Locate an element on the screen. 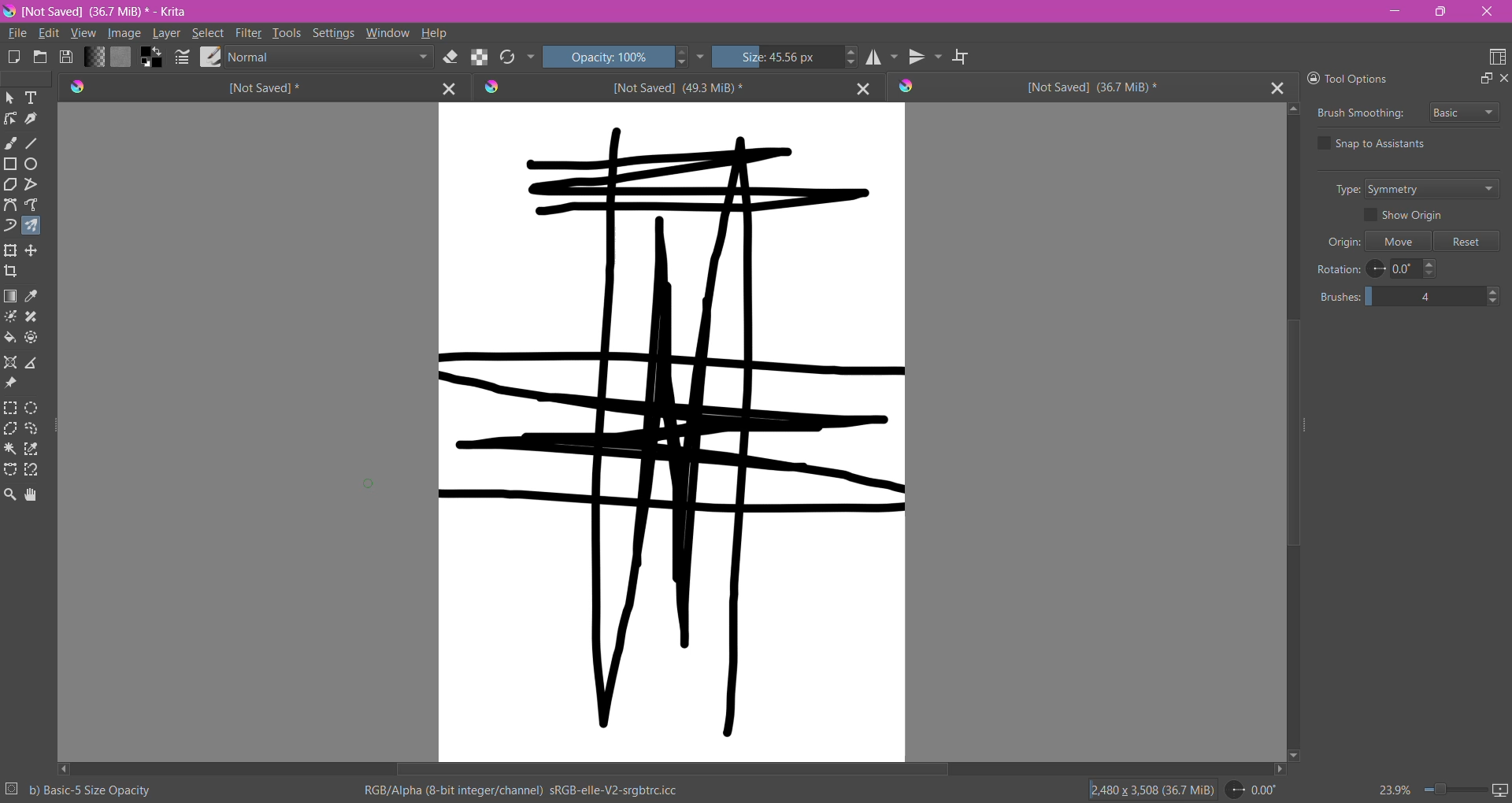 This screenshot has width=1512, height=803. Set the number of brushes is located at coordinates (1403, 297).